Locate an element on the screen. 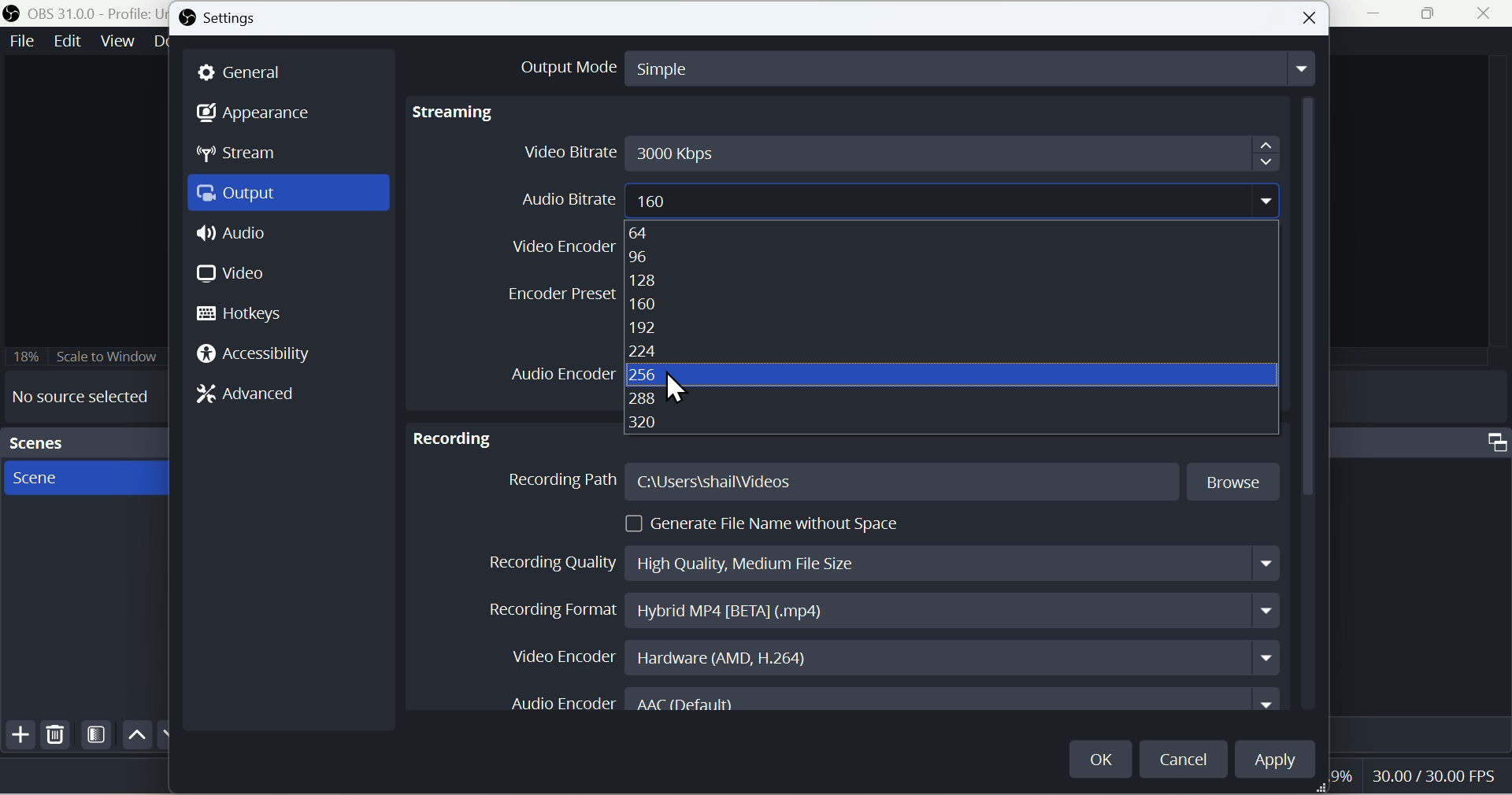 The height and width of the screenshot is (795, 1512). Apply is located at coordinates (1284, 763).